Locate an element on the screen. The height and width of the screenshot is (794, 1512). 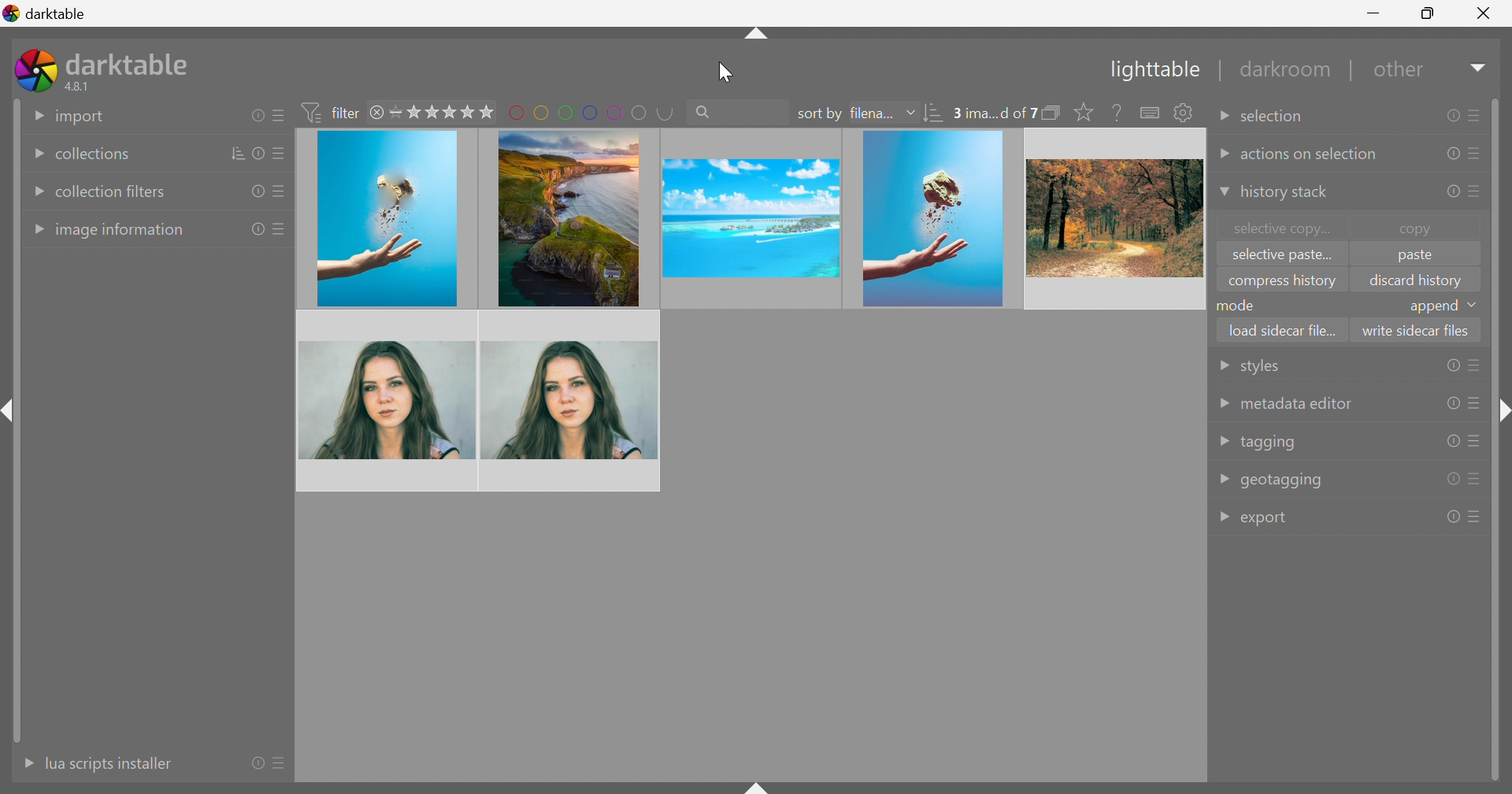
image is located at coordinates (1113, 218).